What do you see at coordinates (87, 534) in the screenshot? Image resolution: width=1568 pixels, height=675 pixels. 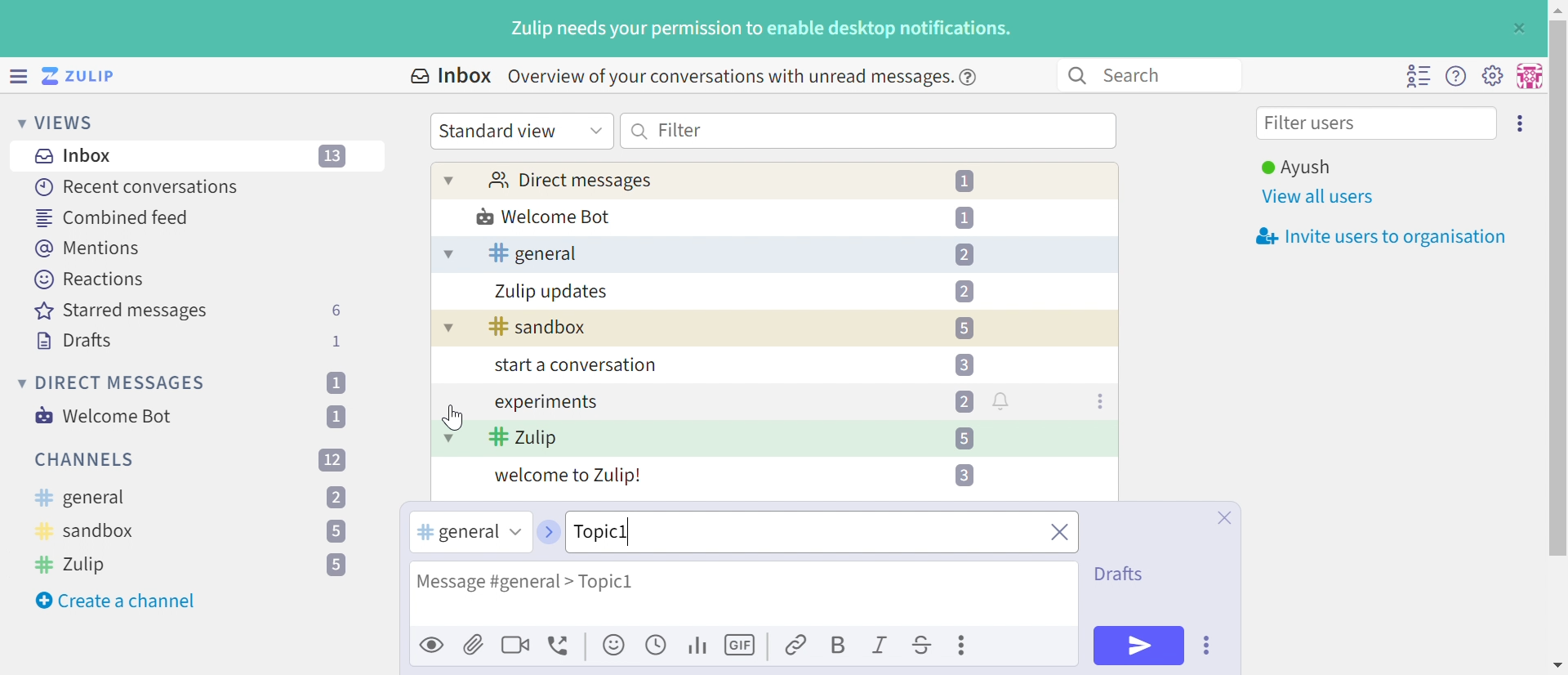 I see `sandbox` at bounding box center [87, 534].